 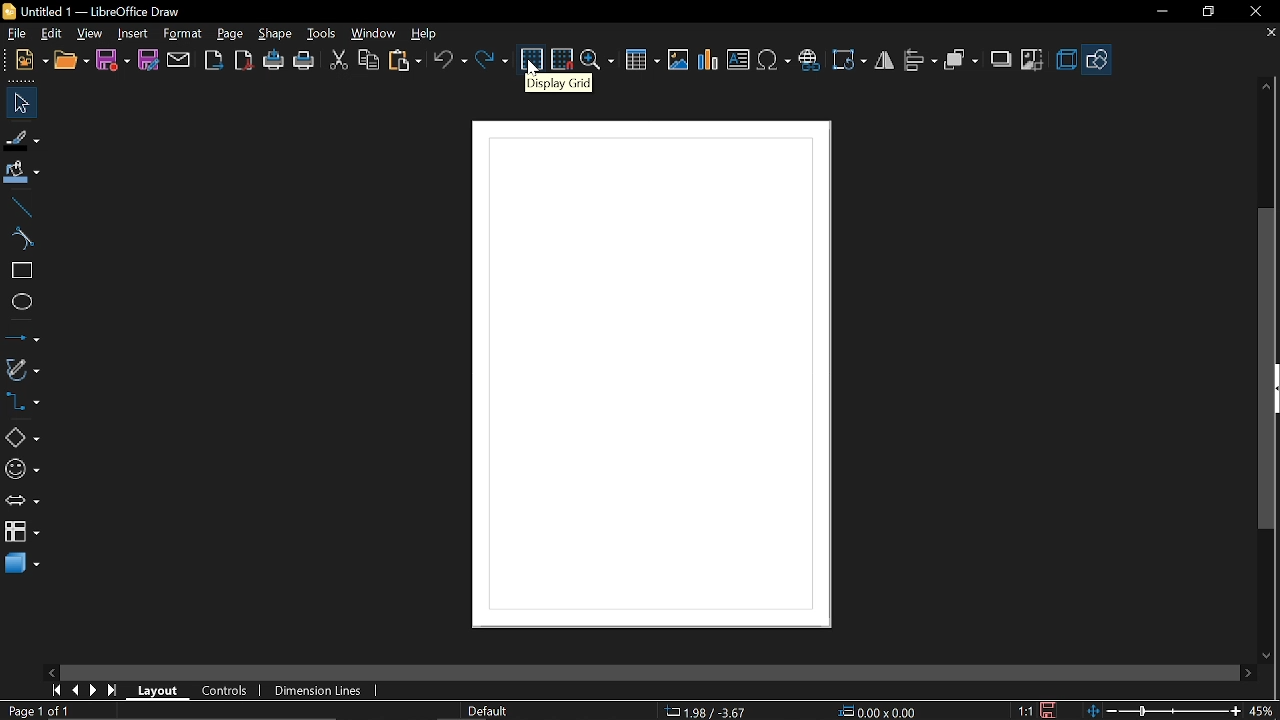 I want to click on Display grid, so click(x=532, y=52).